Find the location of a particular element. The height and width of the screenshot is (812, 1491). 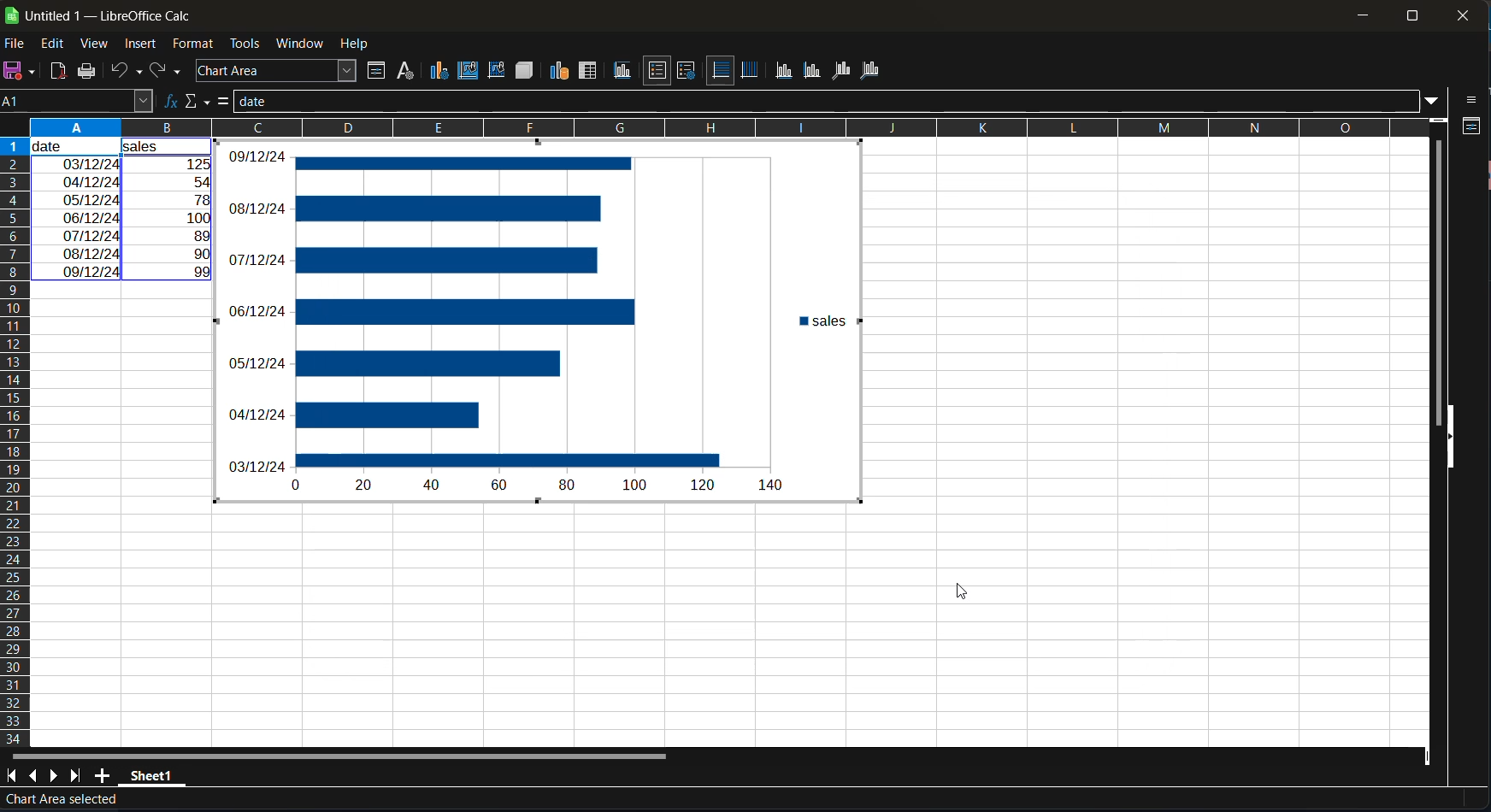

selected range is located at coordinates (122, 210).